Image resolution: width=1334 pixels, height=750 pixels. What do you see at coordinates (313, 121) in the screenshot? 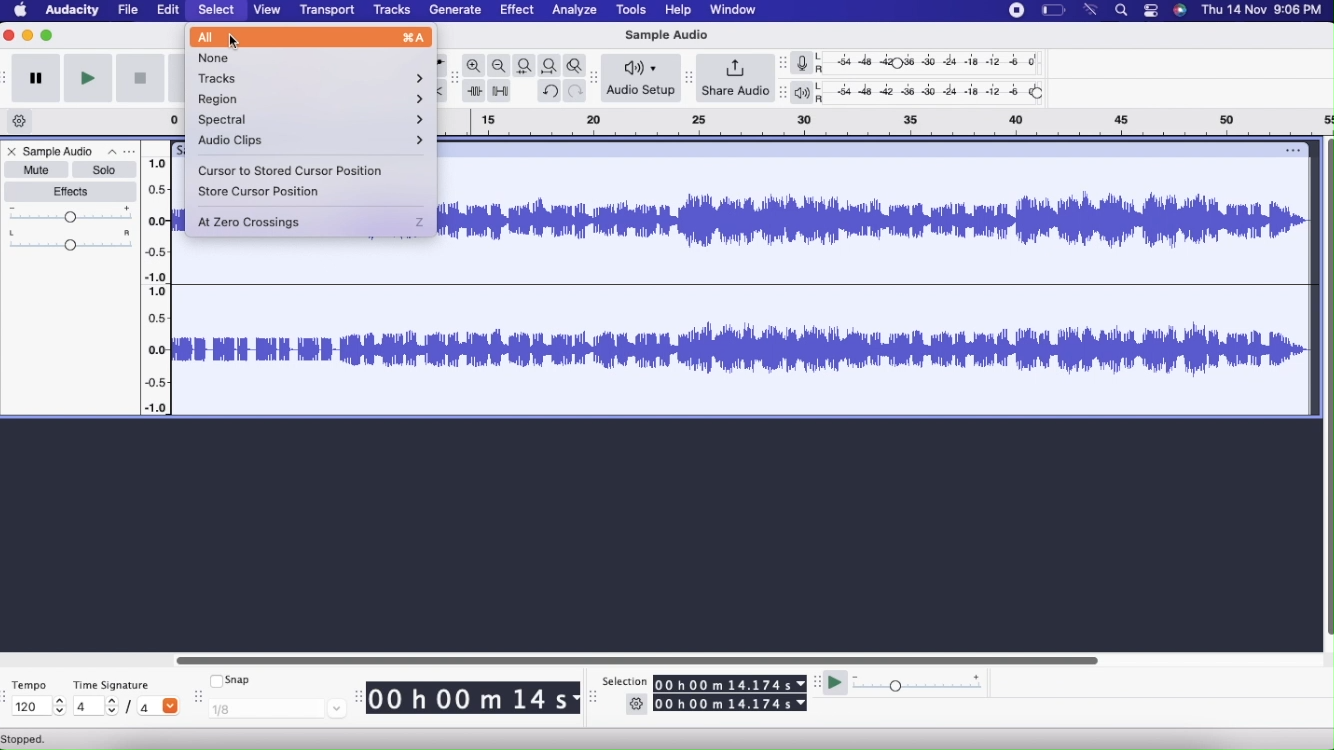
I see `Spectral` at bounding box center [313, 121].